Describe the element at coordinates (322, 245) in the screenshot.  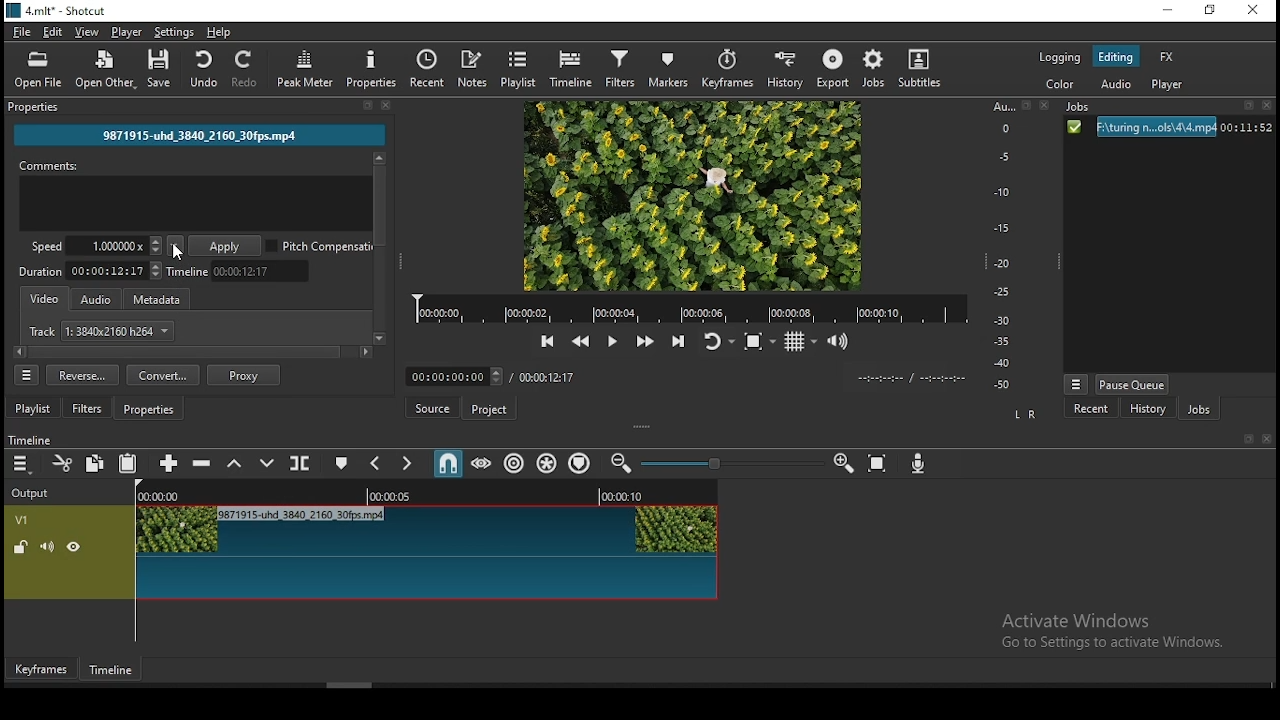
I see `pitch compression` at that location.